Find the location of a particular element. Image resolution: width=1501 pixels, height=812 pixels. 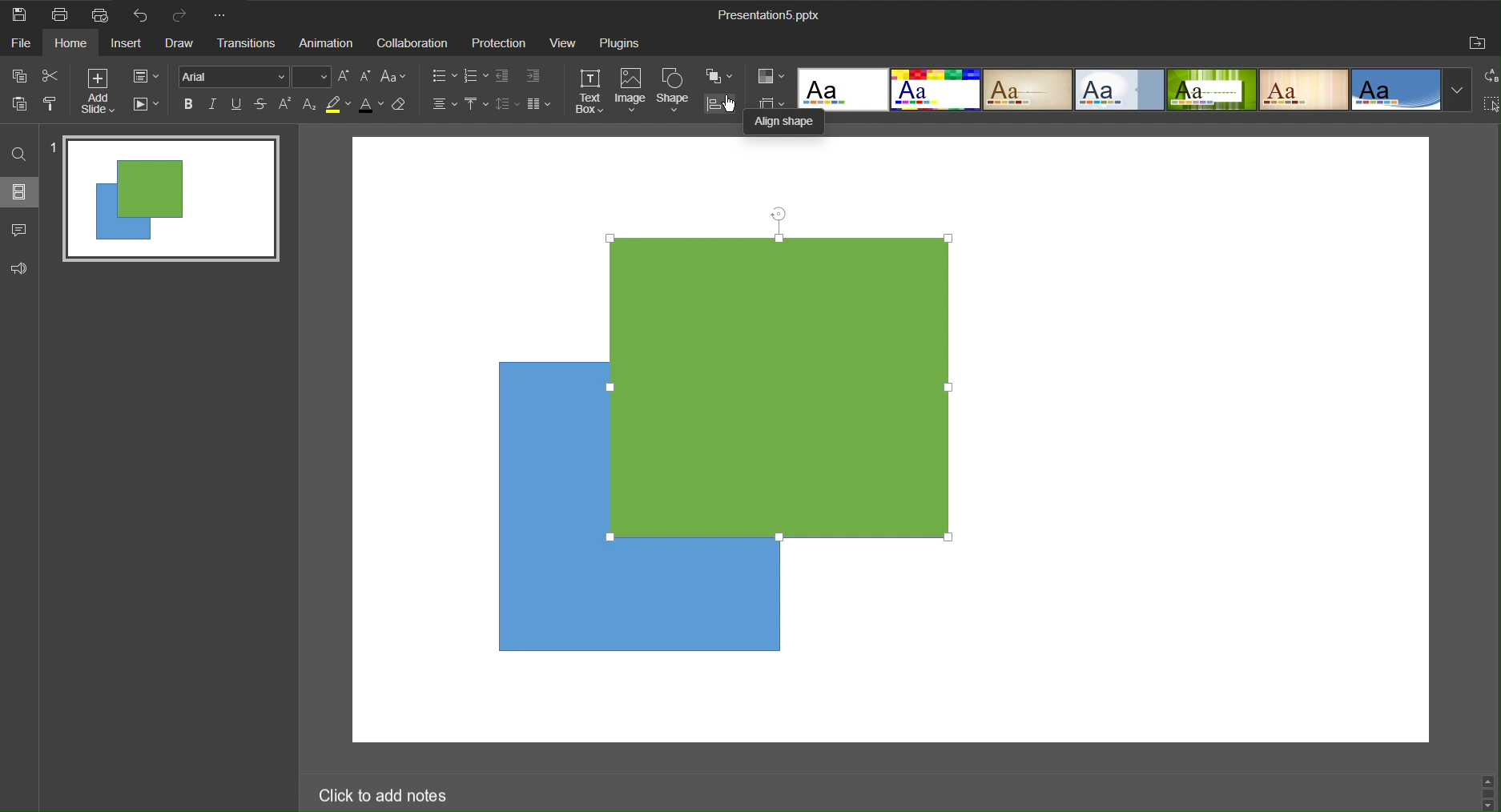

scrollbar is located at coordinates (1489, 791).